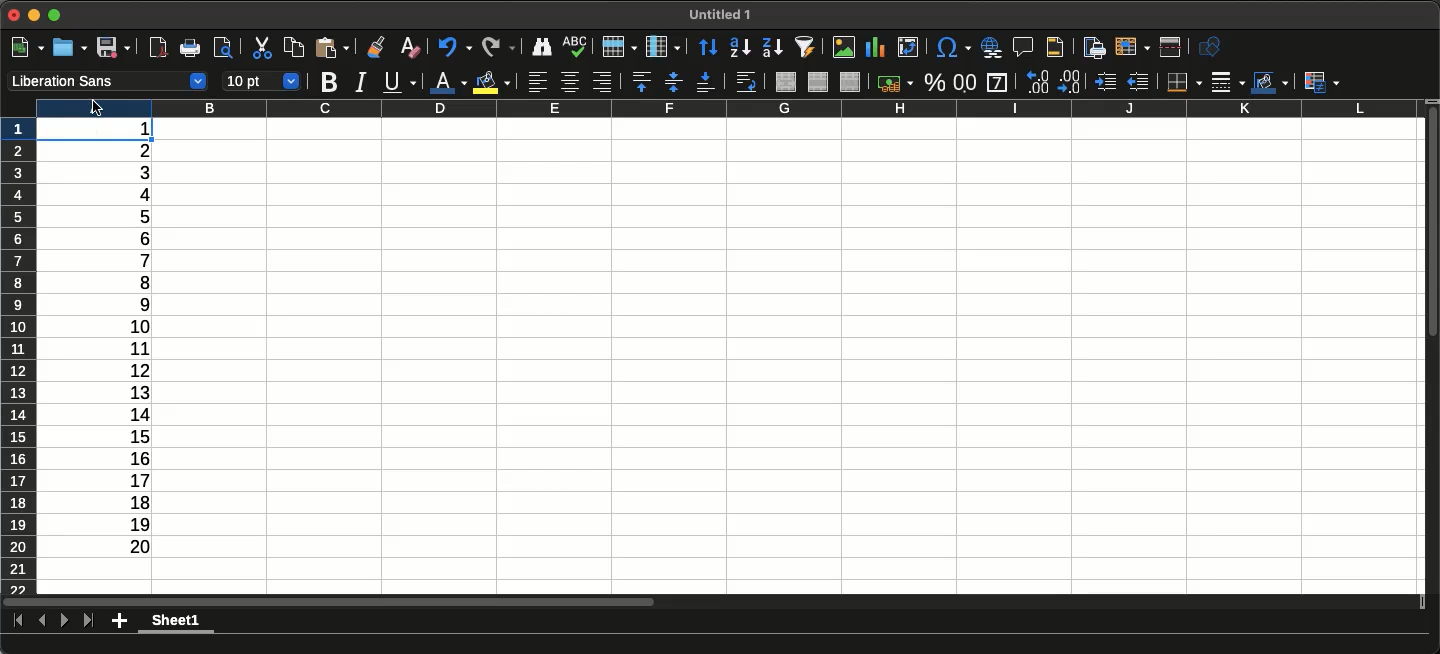  Describe the element at coordinates (222, 48) in the screenshot. I see `Toggle print preview` at that location.